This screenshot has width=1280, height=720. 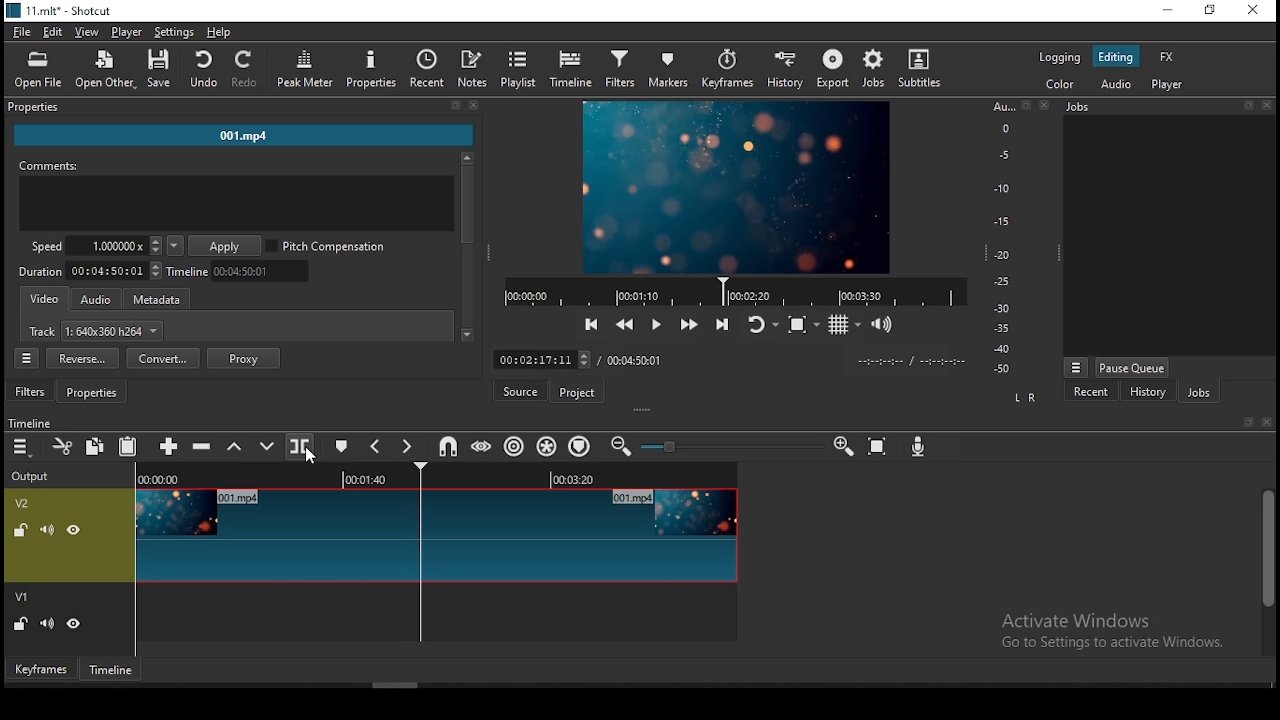 What do you see at coordinates (163, 300) in the screenshot?
I see `metadata` at bounding box center [163, 300].